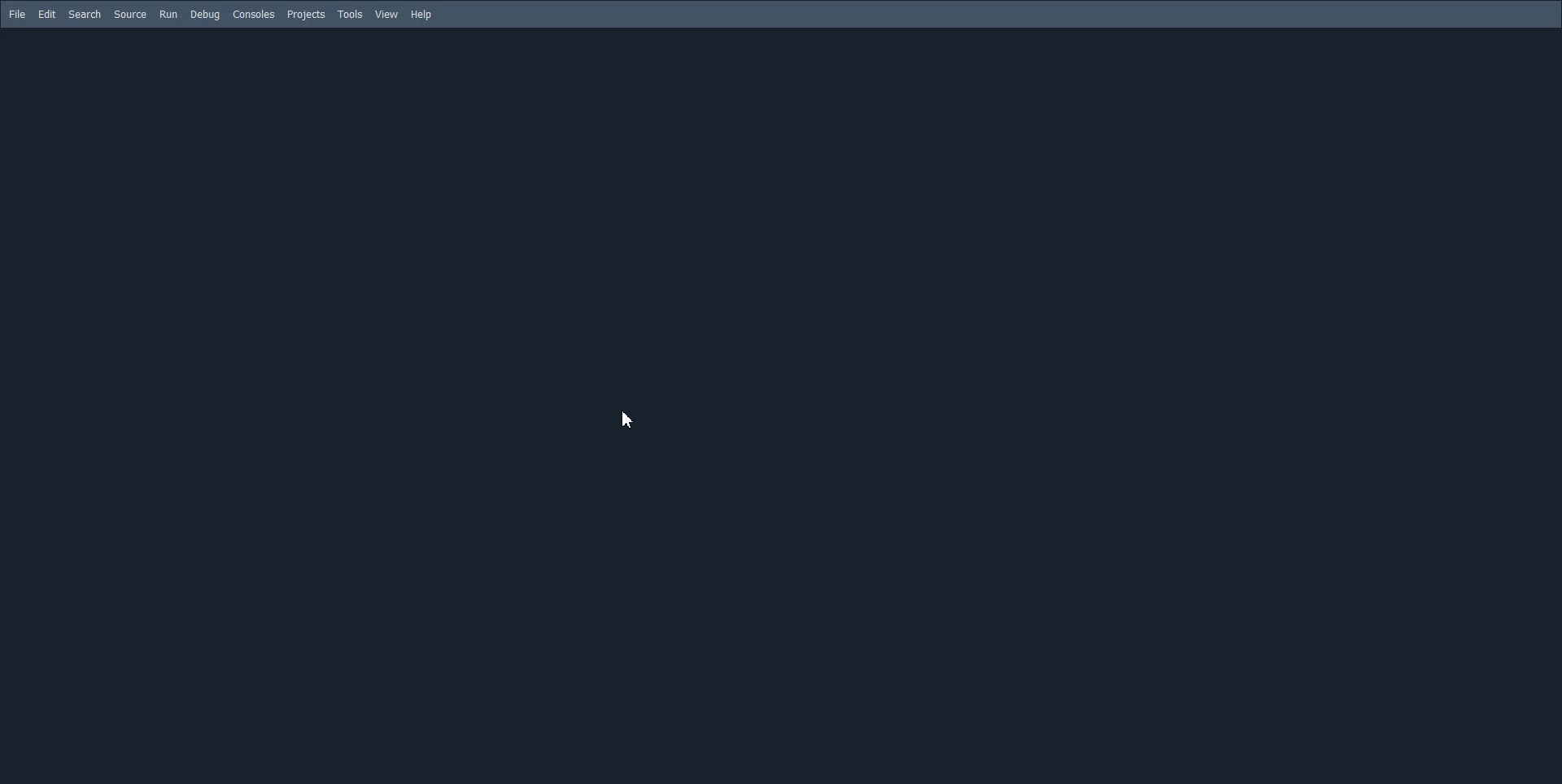 This screenshot has width=1562, height=784. Describe the element at coordinates (351, 15) in the screenshot. I see `Tools` at that location.